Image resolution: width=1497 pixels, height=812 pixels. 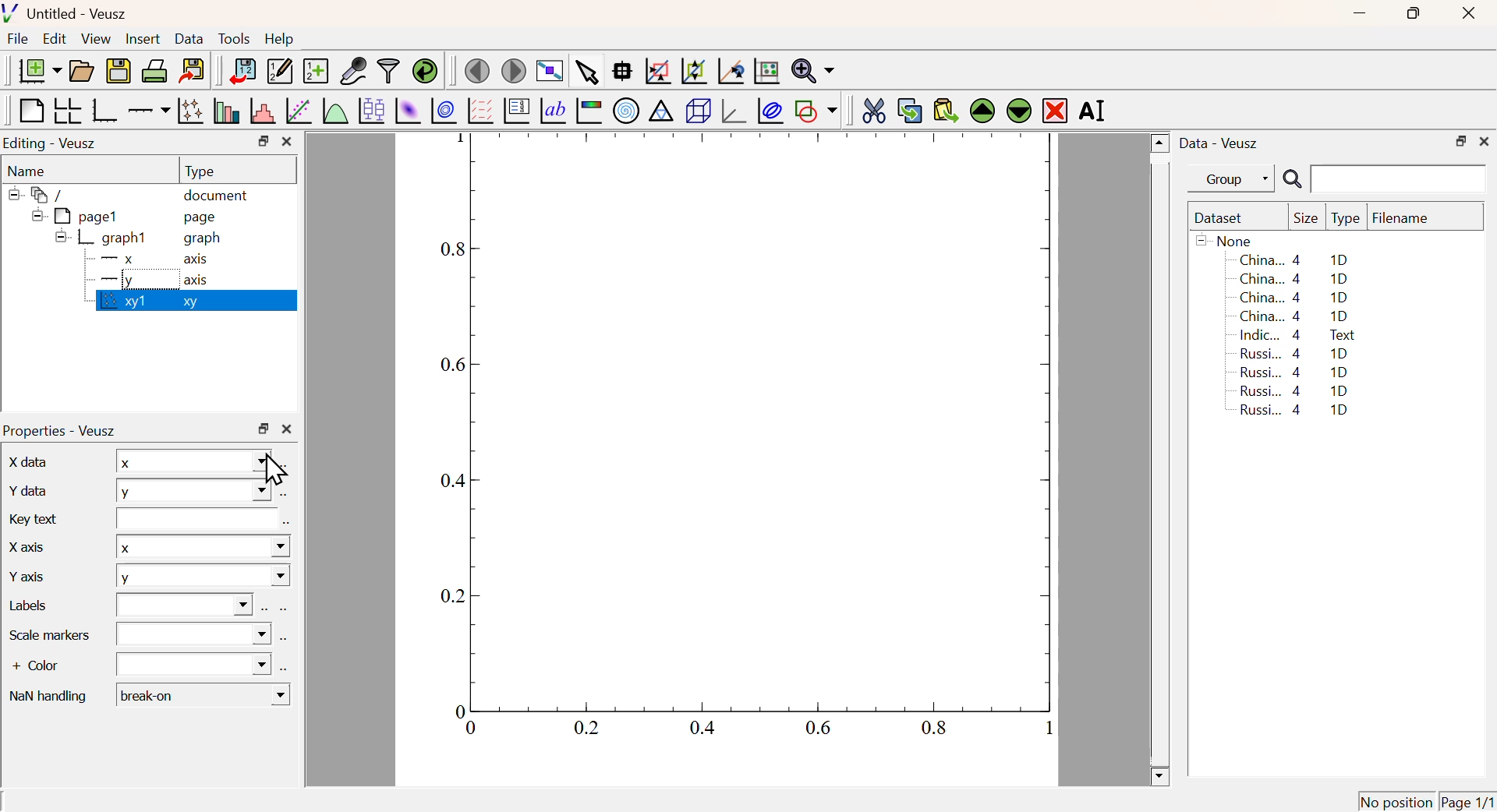 I want to click on Text Label, so click(x=553, y=111).